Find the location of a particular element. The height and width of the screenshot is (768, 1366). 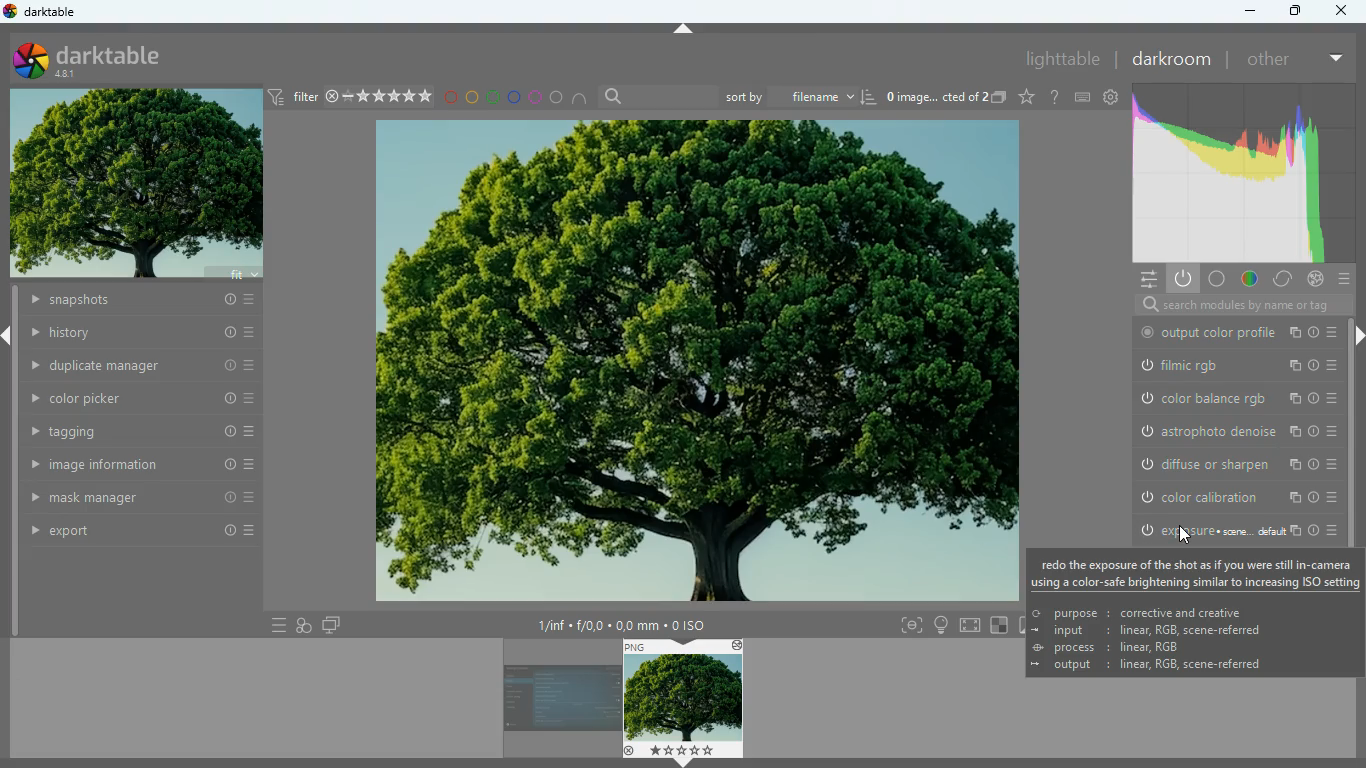

down is located at coordinates (681, 763).